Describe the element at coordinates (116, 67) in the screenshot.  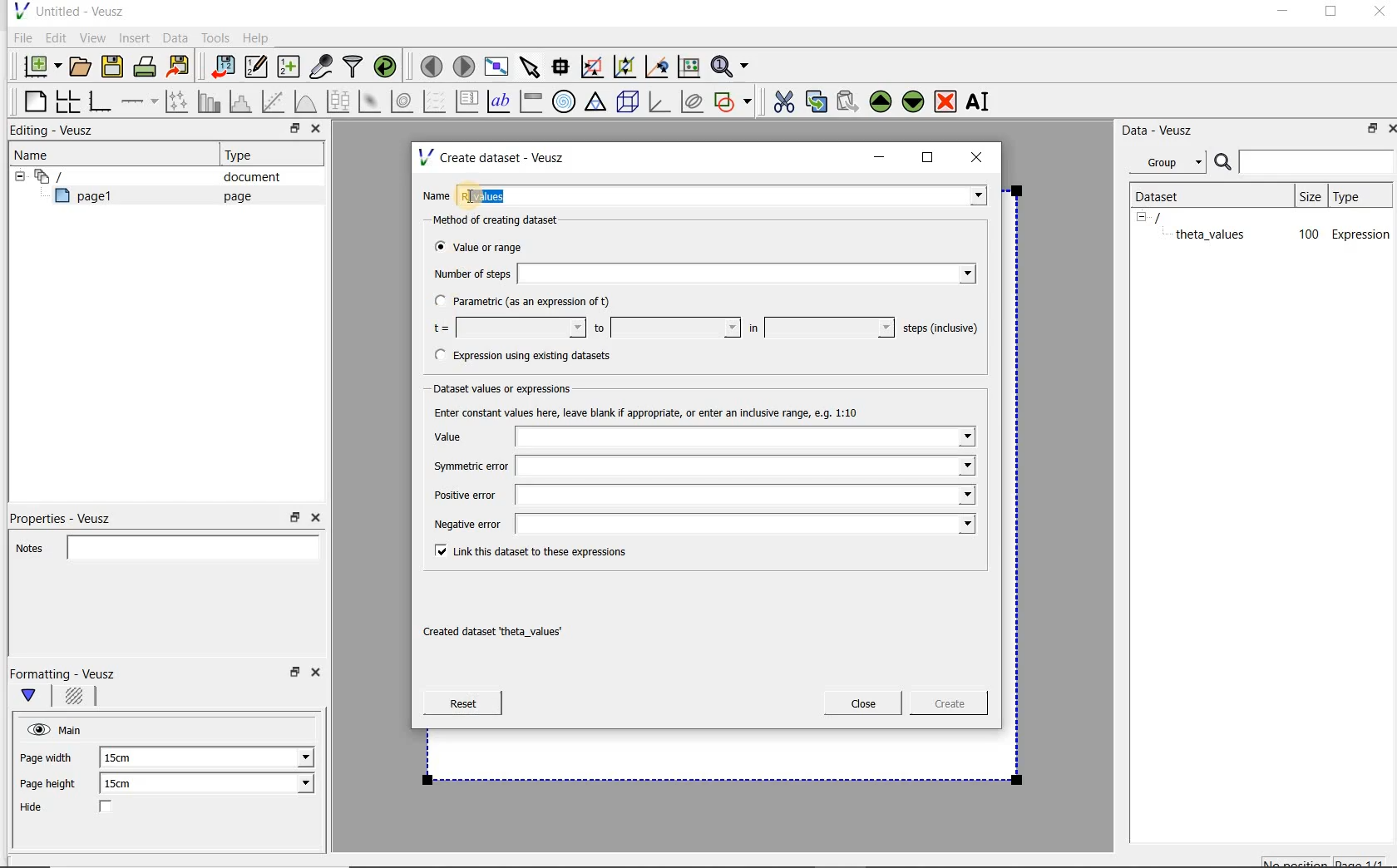
I see `save the document` at that location.